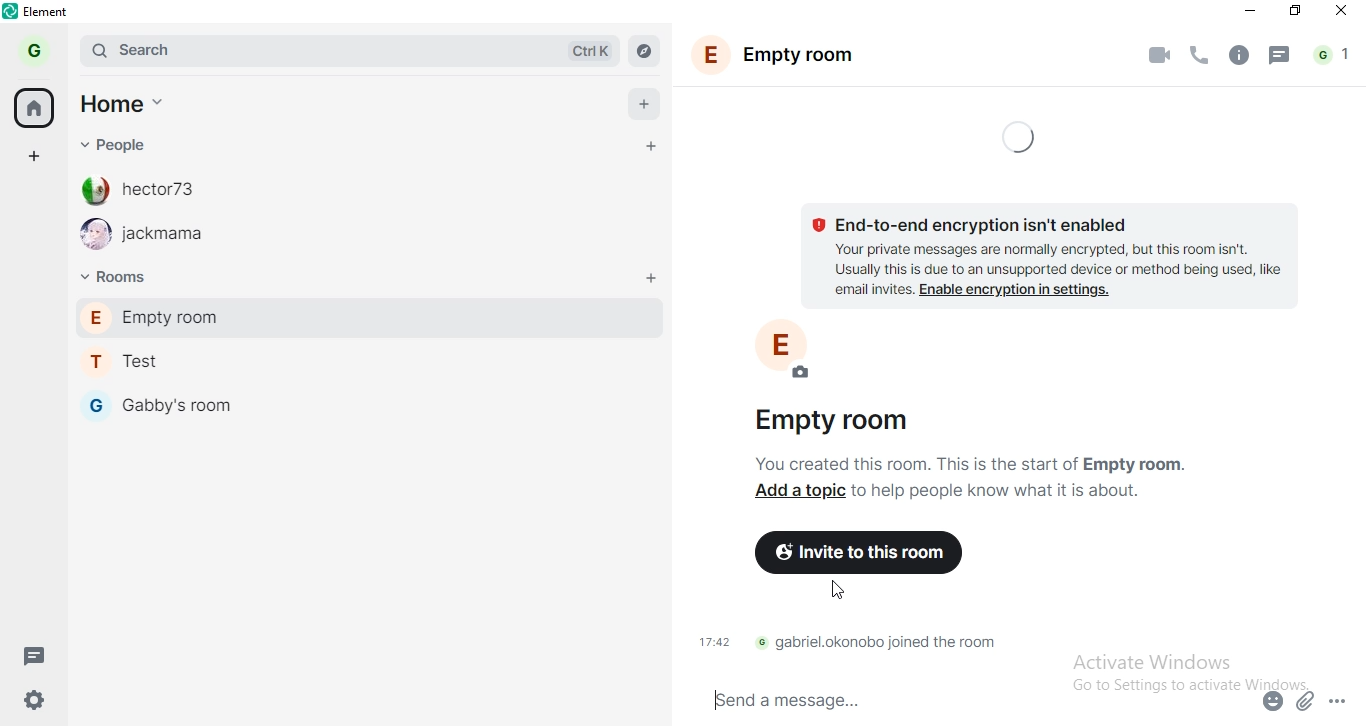  I want to click on invite to this room, so click(863, 550).